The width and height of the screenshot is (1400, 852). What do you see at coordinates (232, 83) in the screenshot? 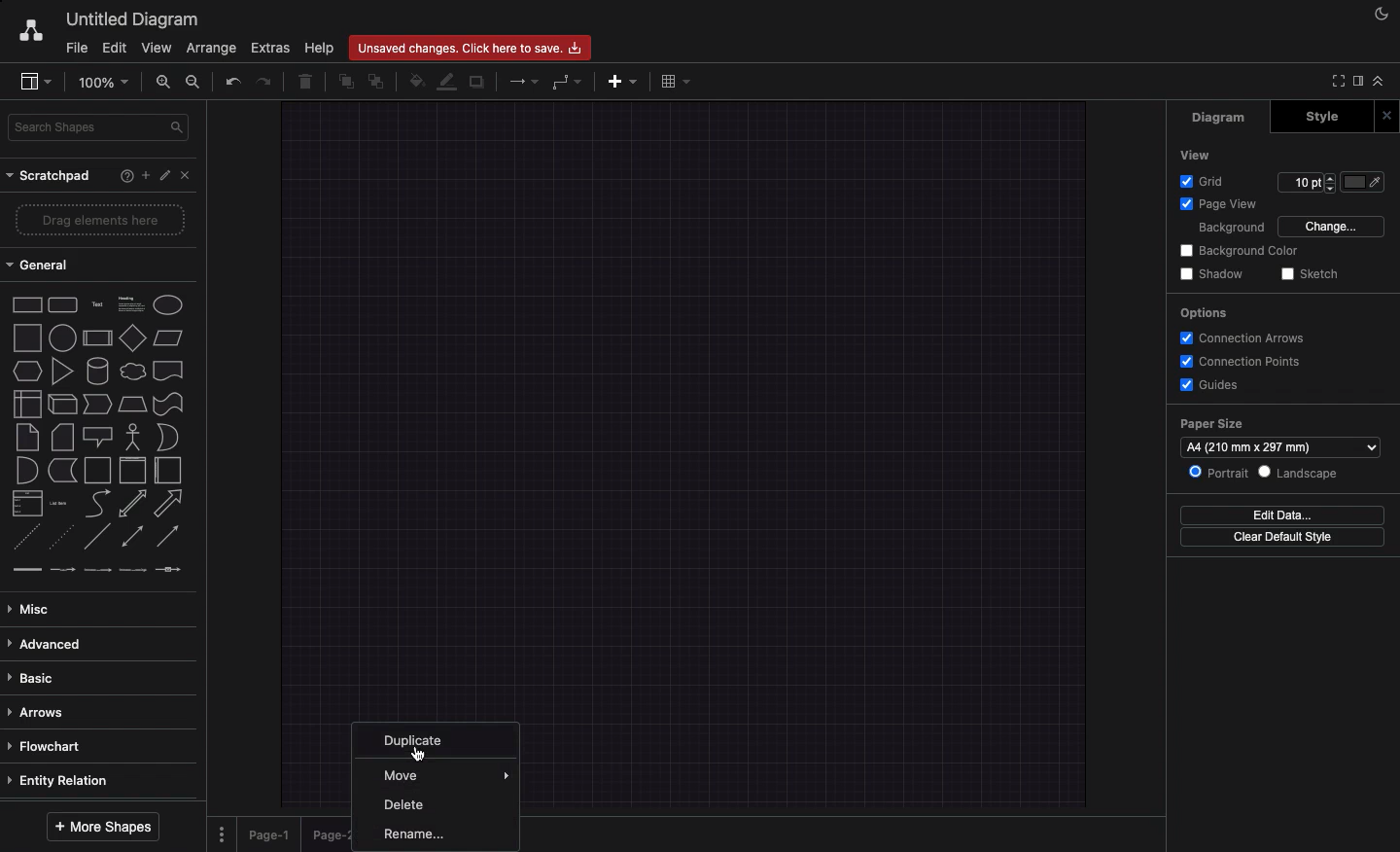
I see `Undo` at bounding box center [232, 83].